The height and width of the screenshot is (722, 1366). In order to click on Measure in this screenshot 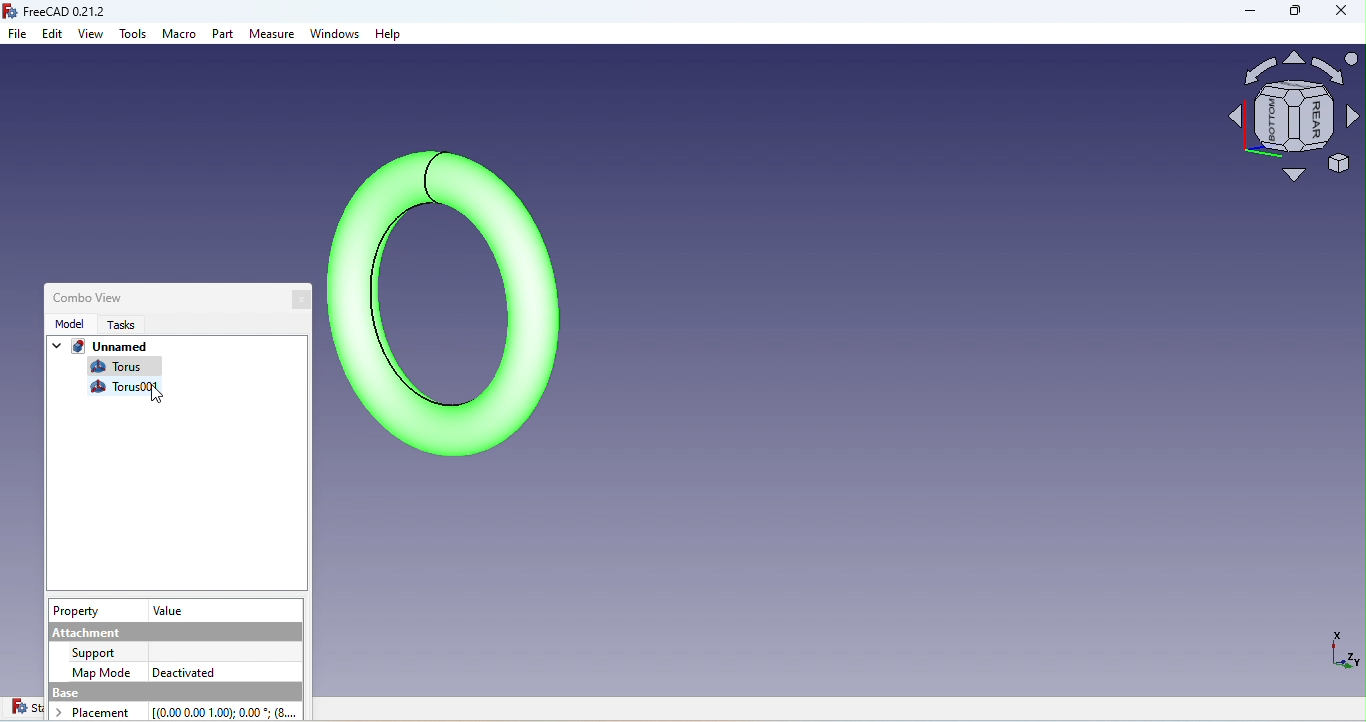, I will do `click(273, 35)`.